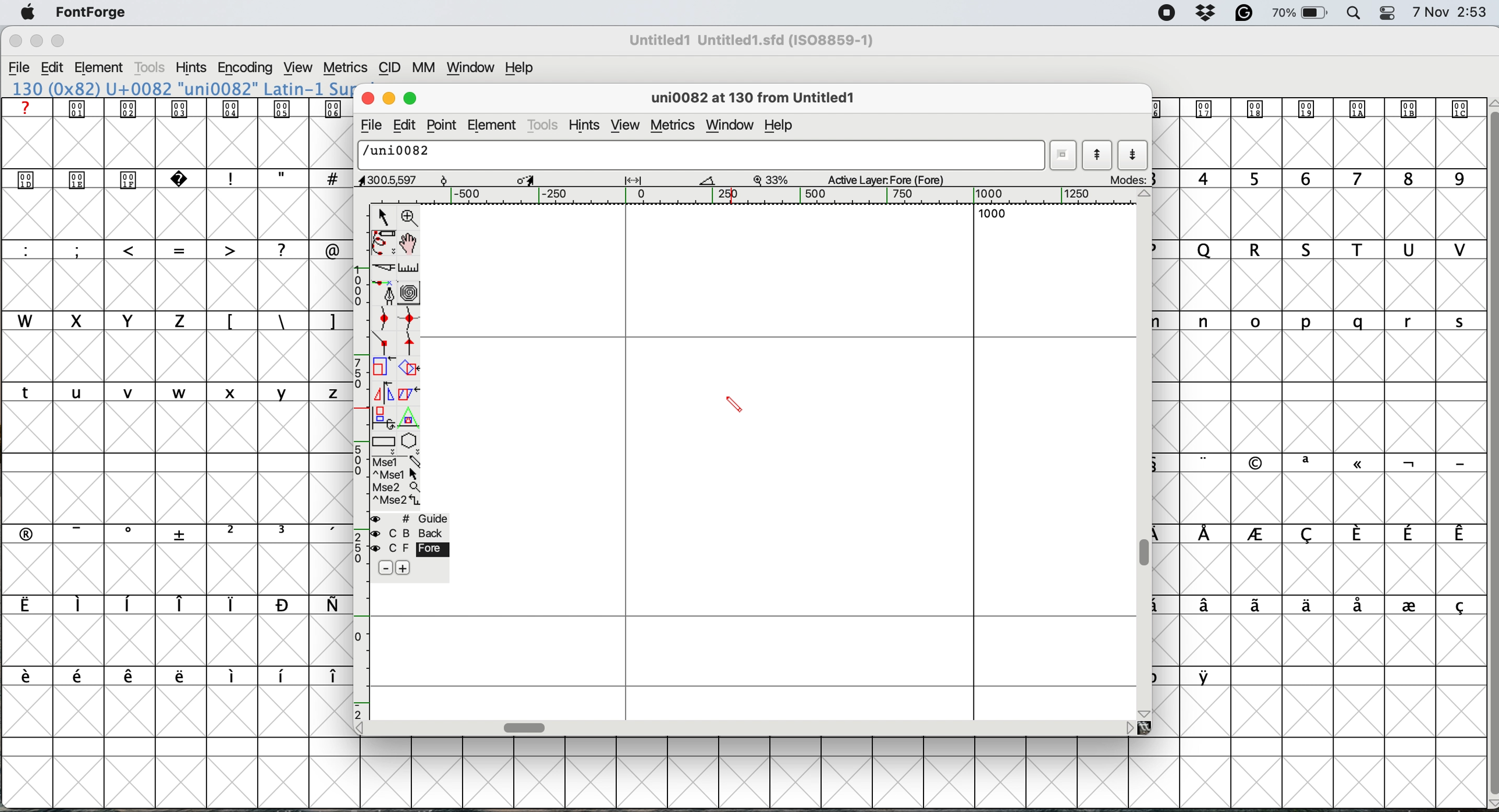 Image resolution: width=1499 pixels, height=812 pixels. Describe the element at coordinates (887, 181) in the screenshot. I see `active layers` at that location.